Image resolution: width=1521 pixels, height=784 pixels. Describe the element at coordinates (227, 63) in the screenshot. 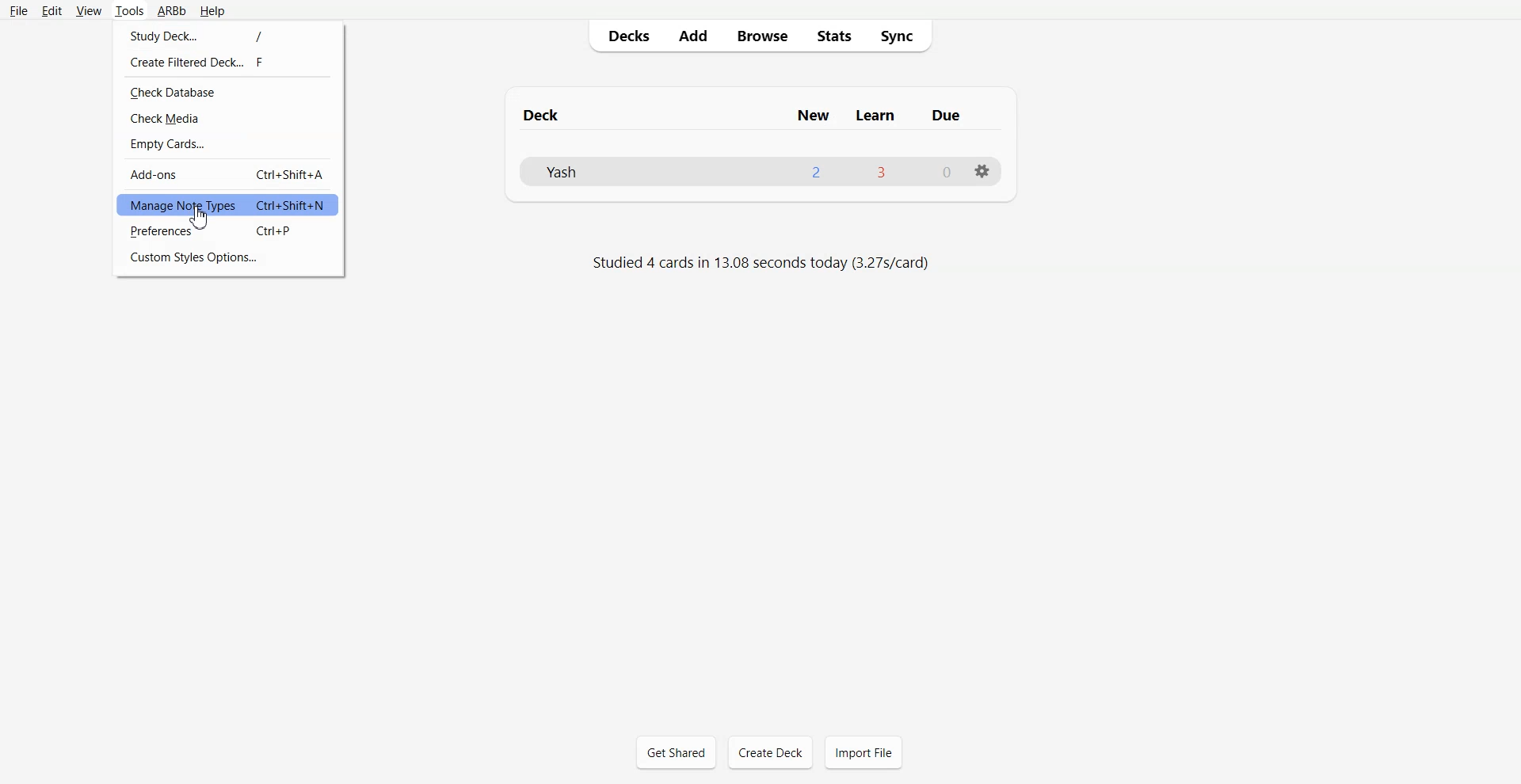

I see `Create Filtered Deck` at that location.